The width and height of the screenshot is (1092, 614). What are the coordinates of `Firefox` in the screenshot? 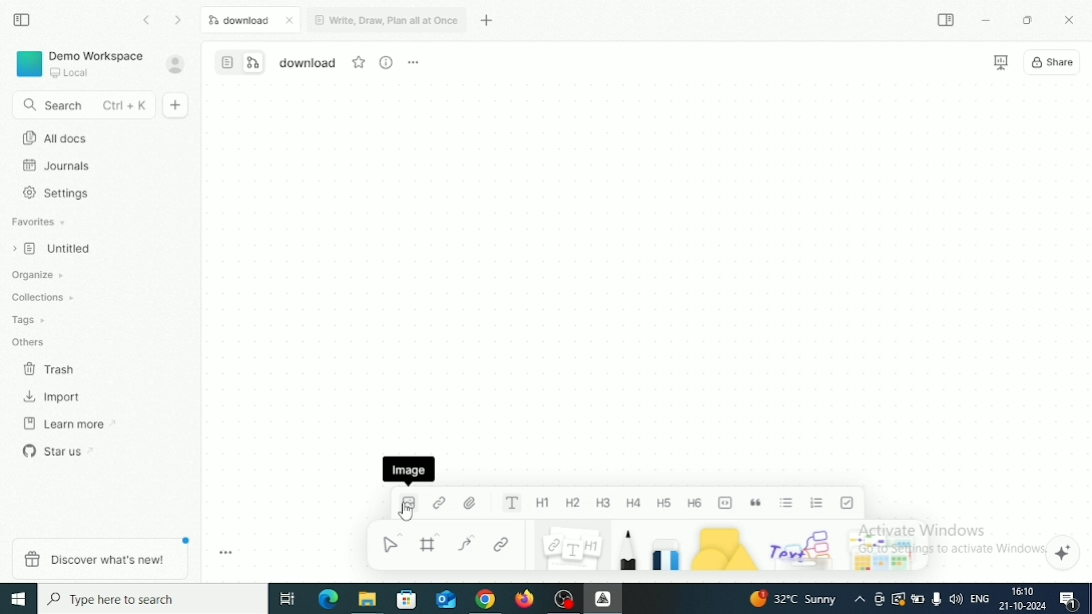 It's located at (526, 600).